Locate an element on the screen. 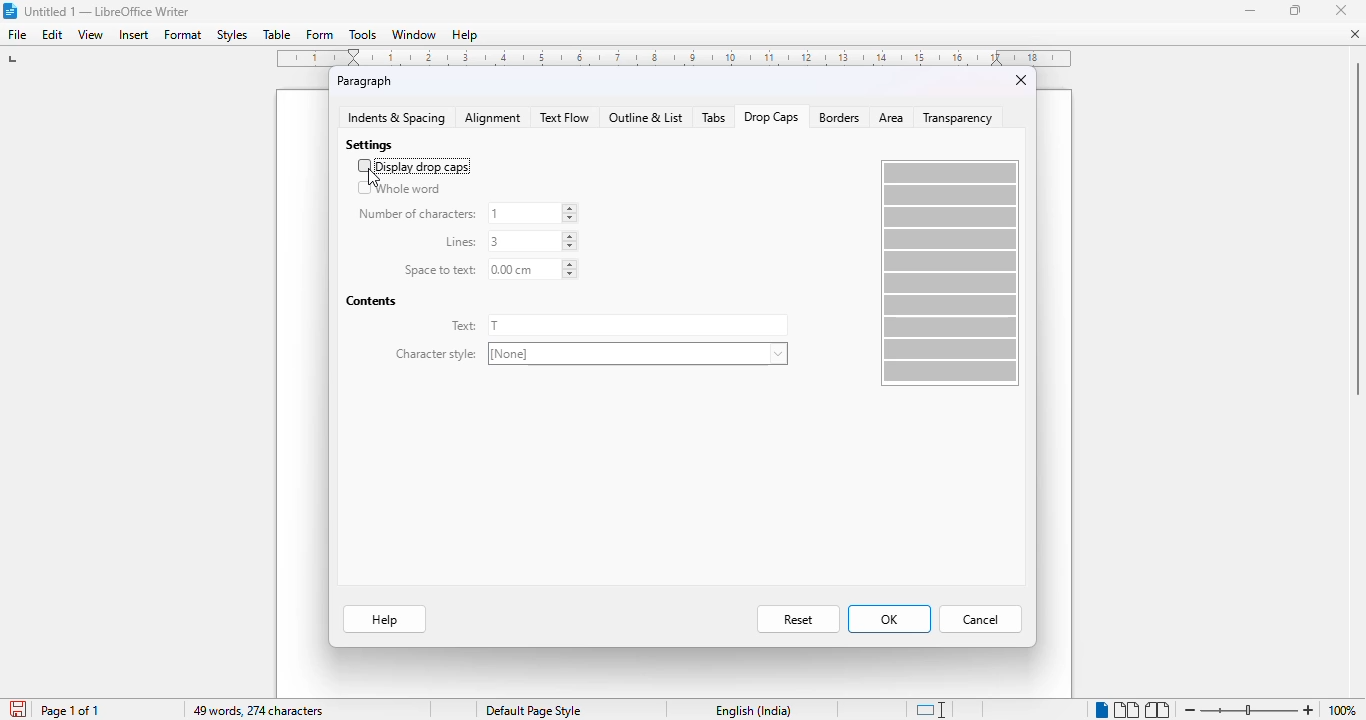 The width and height of the screenshot is (1366, 720). drop caps is located at coordinates (771, 117).